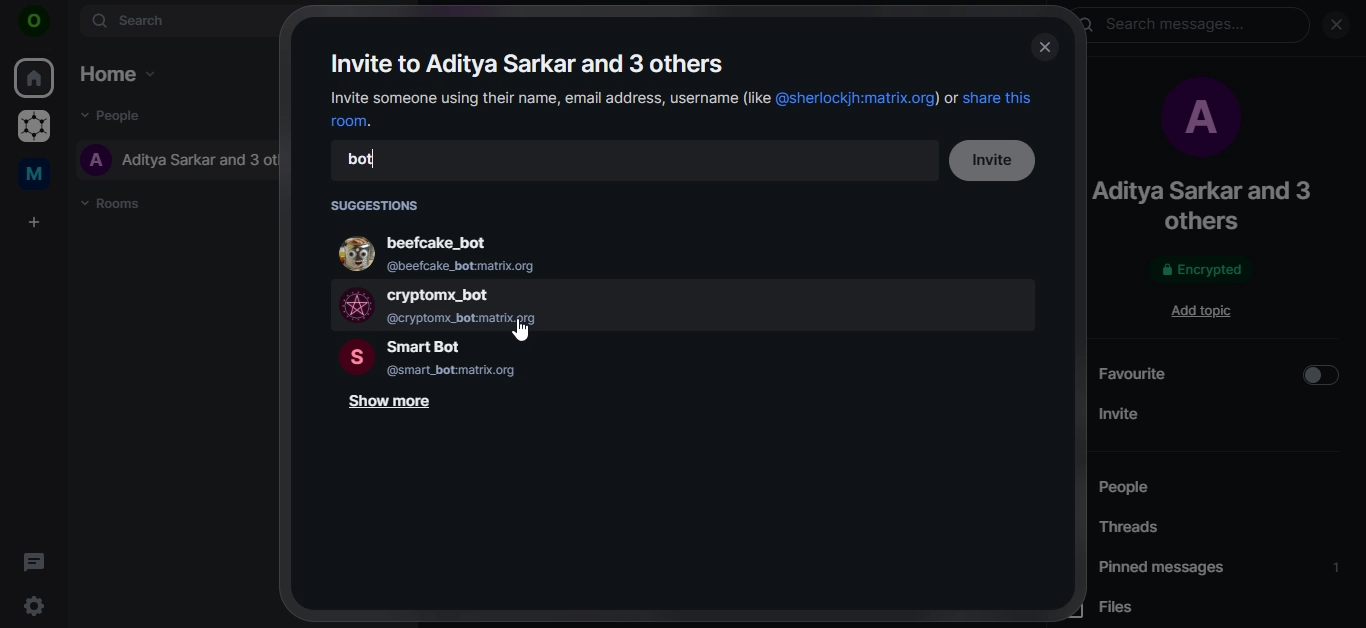 Image resolution: width=1366 pixels, height=628 pixels. Describe the element at coordinates (38, 172) in the screenshot. I see `me` at that location.